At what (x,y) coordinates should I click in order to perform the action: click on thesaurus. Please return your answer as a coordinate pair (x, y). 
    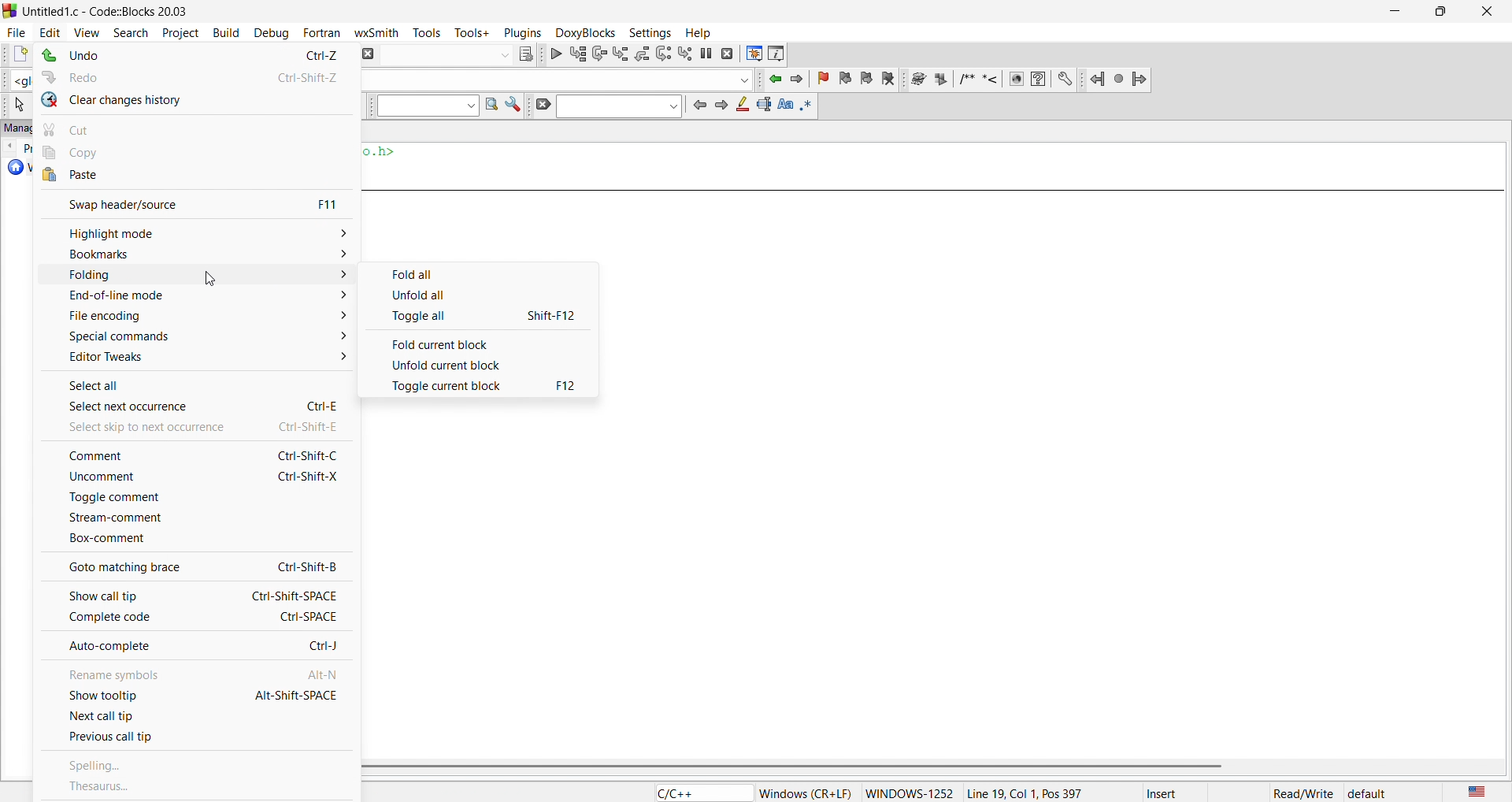
    Looking at the image, I should click on (196, 786).